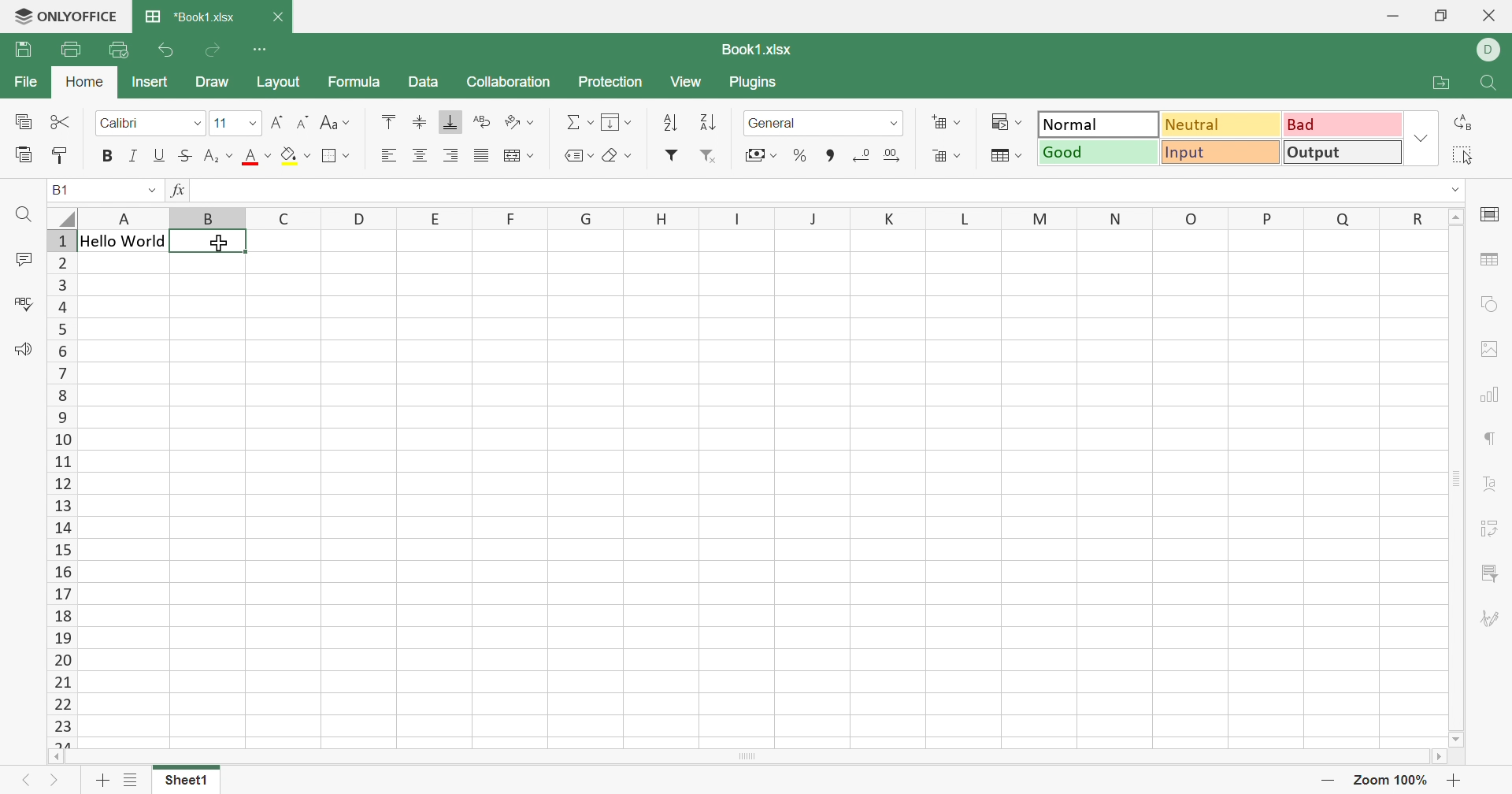 Image resolution: width=1512 pixels, height=794 pixels. I want to click on Italic, so click(135, 158).